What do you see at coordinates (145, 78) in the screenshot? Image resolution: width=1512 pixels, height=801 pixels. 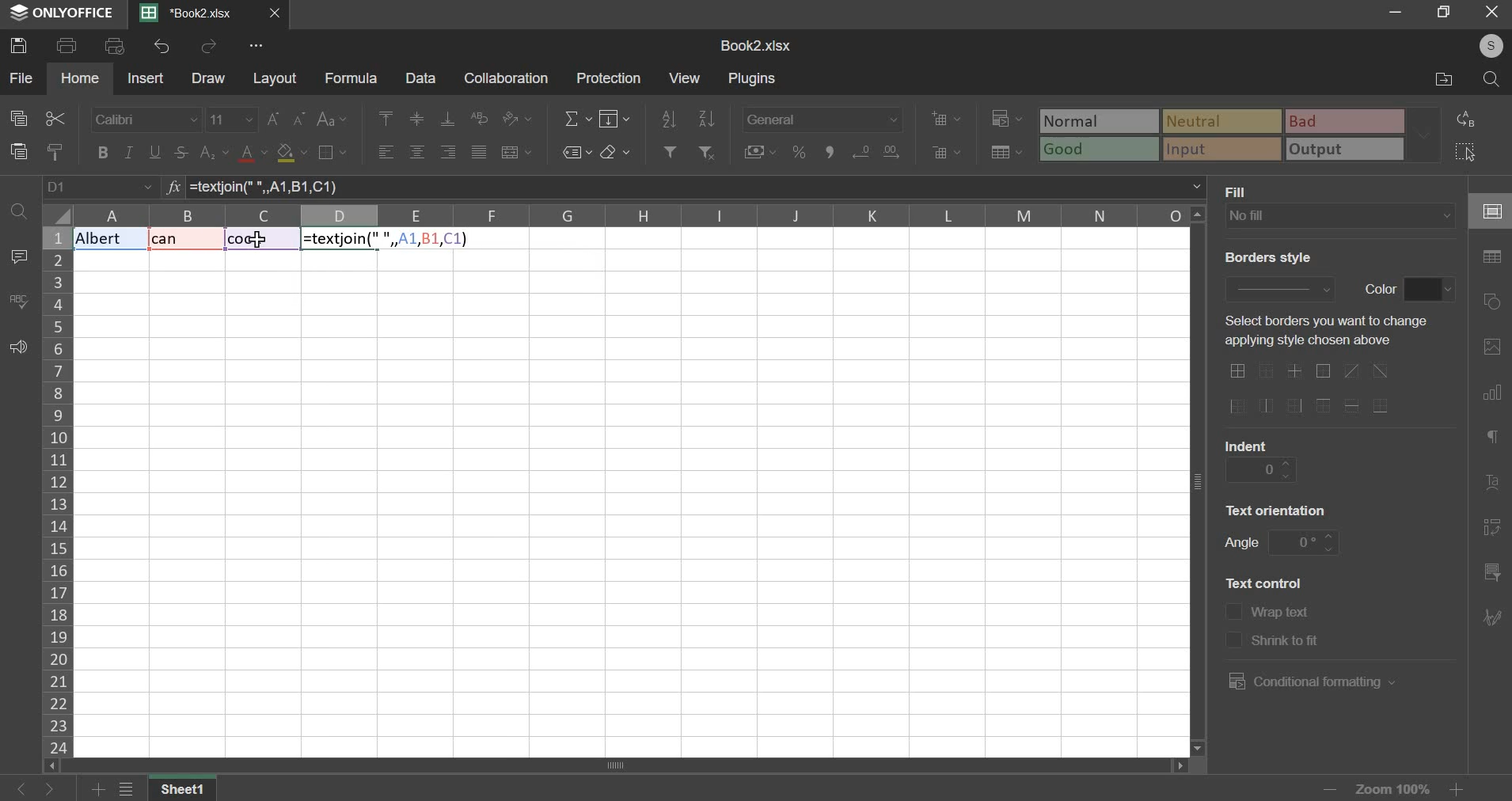 I see `insert` at bounding box center [145, 78].